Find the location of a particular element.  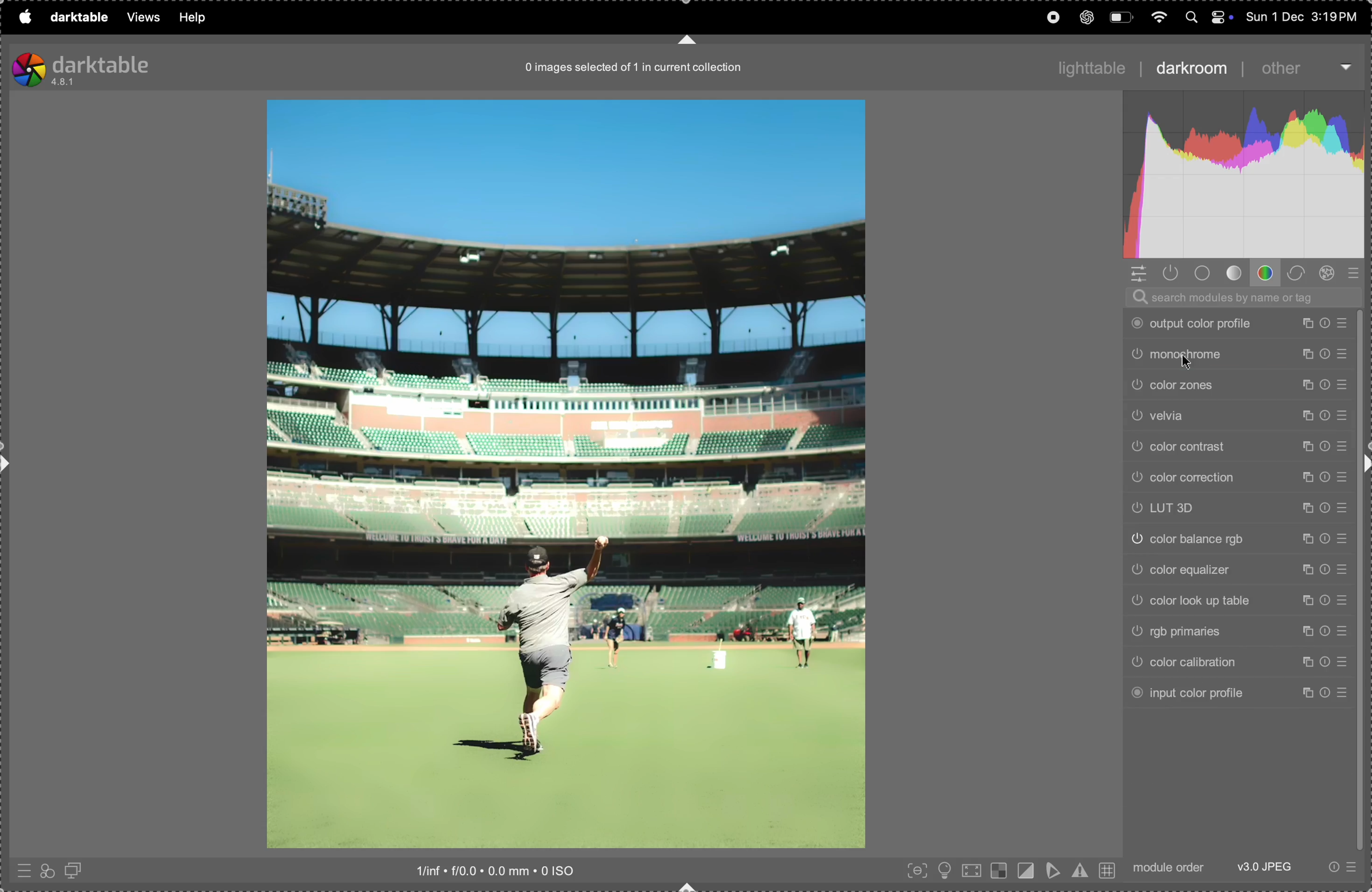

quick acess for apply styles is located at coordinates (47, 870).